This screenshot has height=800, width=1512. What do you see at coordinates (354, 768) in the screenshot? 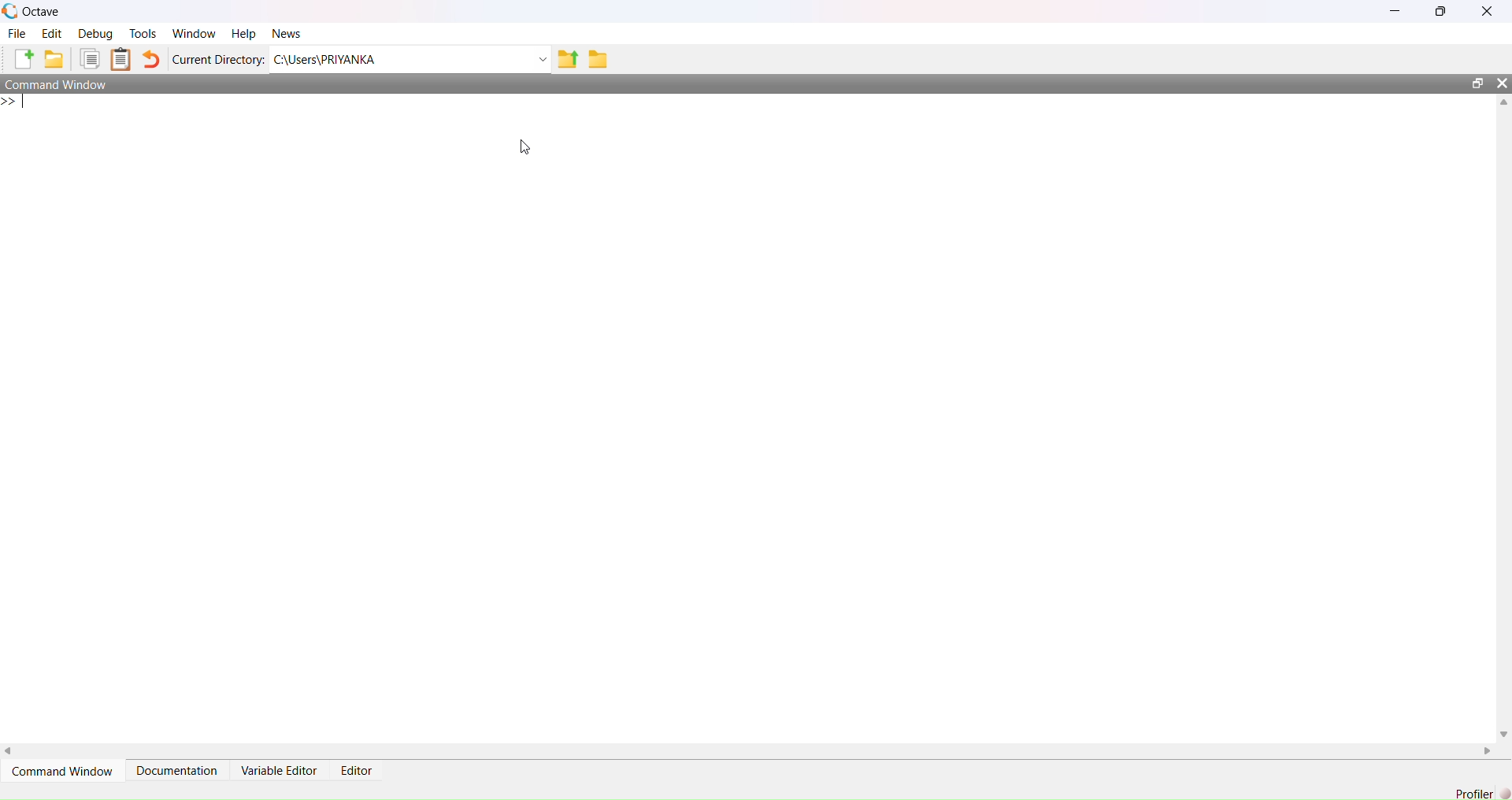
I see `Editor` at bounding box center [354, 768].